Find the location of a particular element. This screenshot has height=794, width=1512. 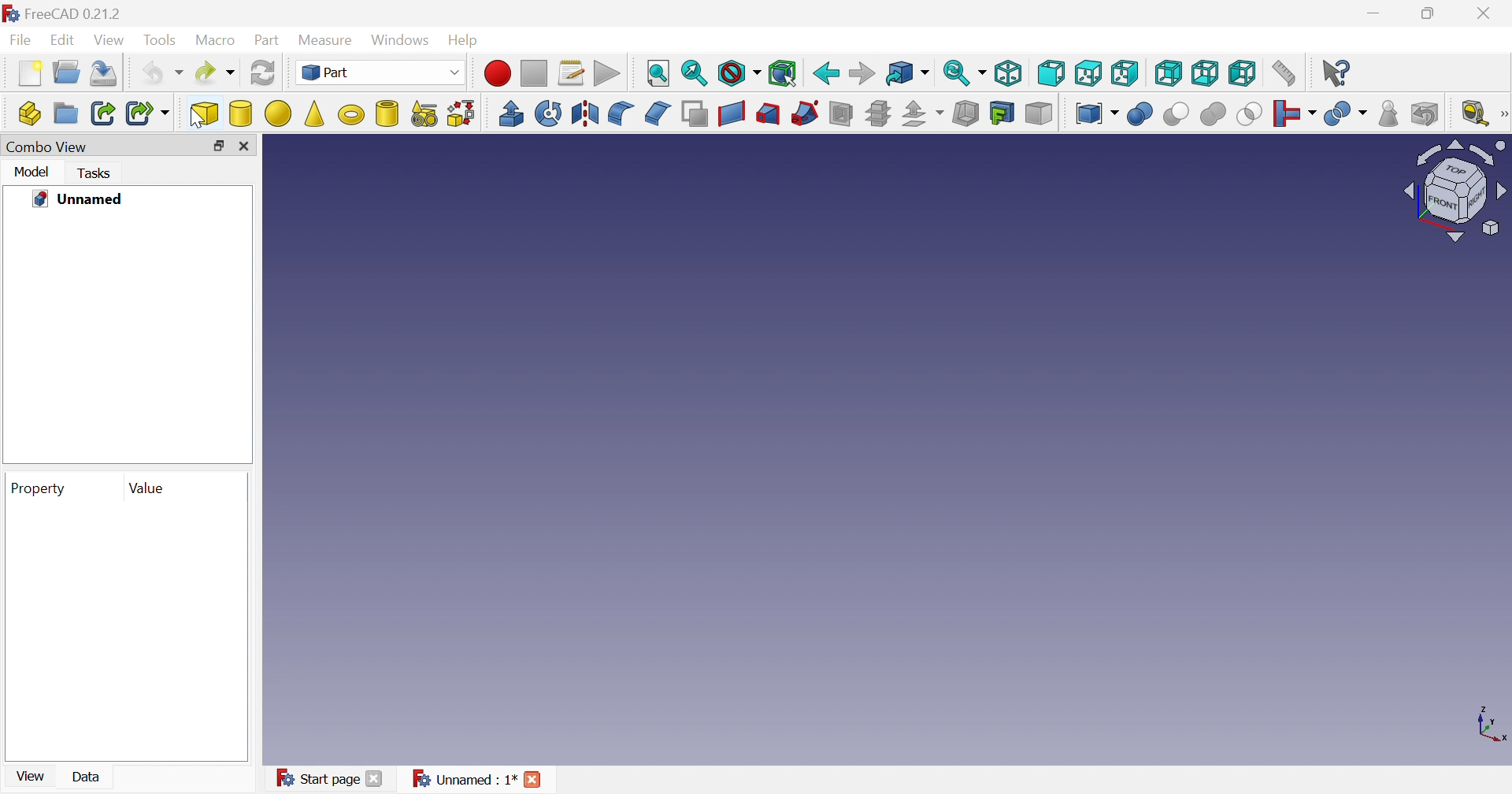

Back is located at coordinates (826, 74).